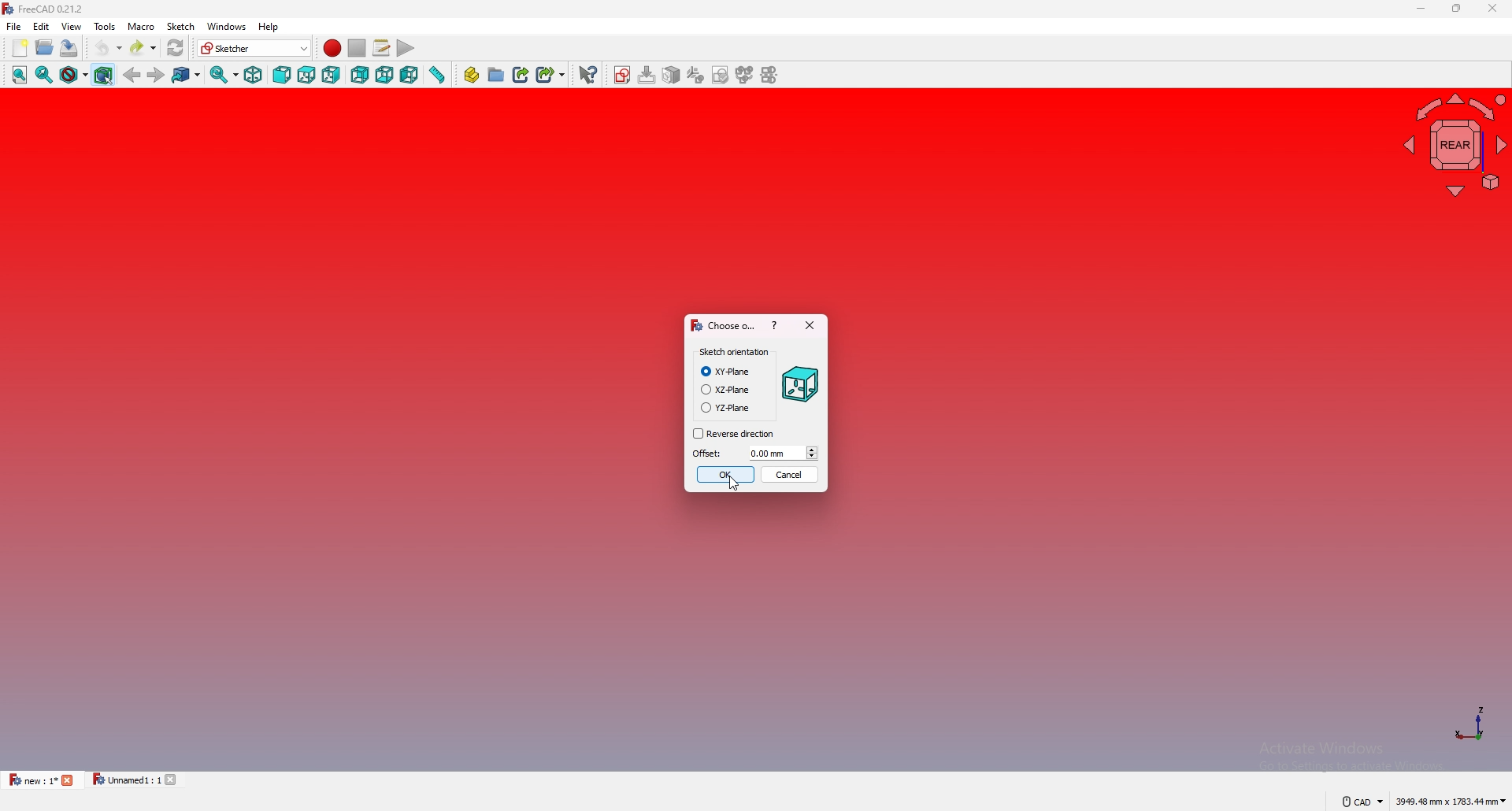 Image resolution: width=1512 pixels, height=811 pixels. Describe the element at coordinates (649, 75) in the screenshot. I see `download` at that location.